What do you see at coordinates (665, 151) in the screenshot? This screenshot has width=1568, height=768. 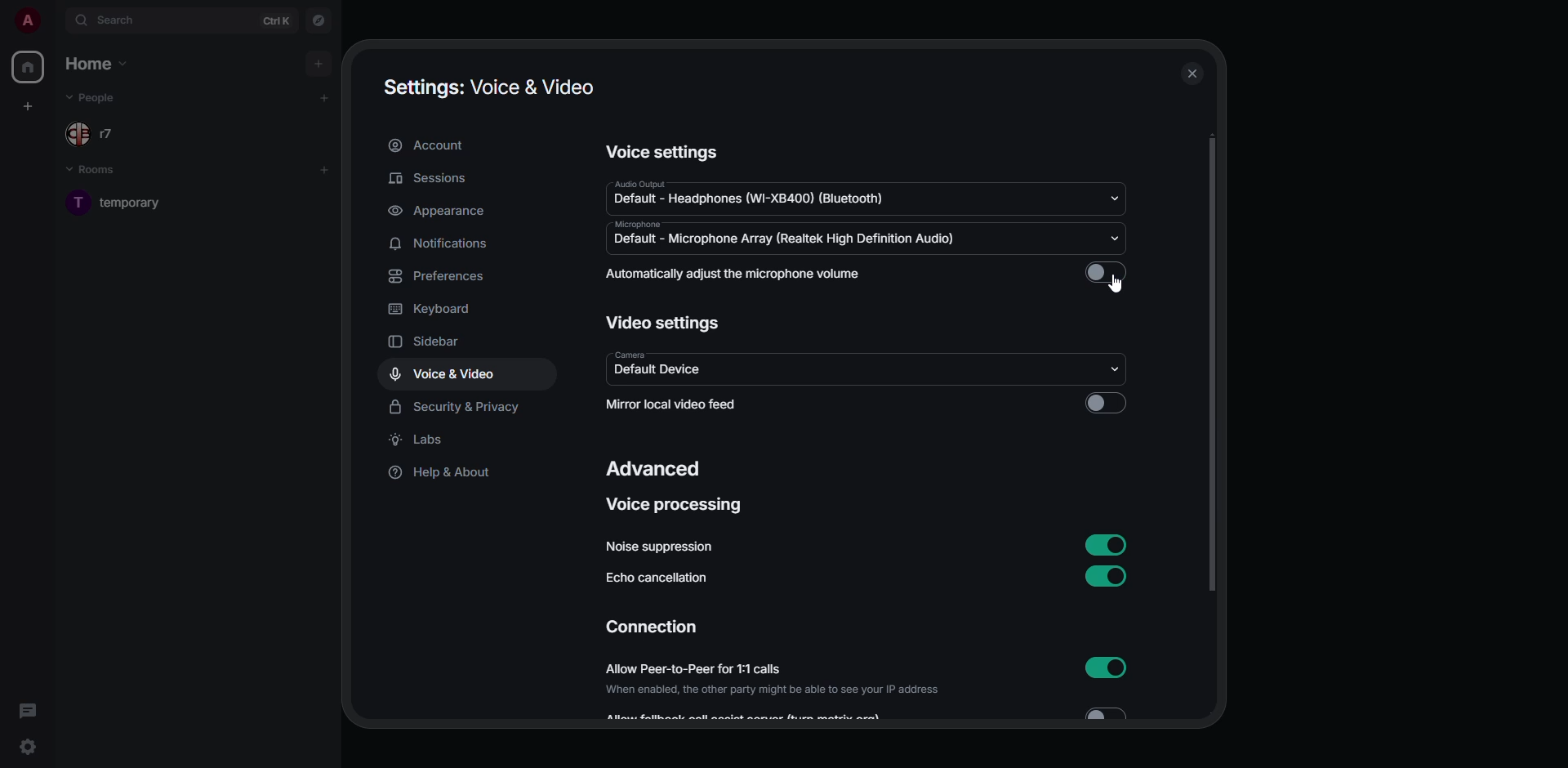 I see `voice settings` at bounding box center [665, 151].